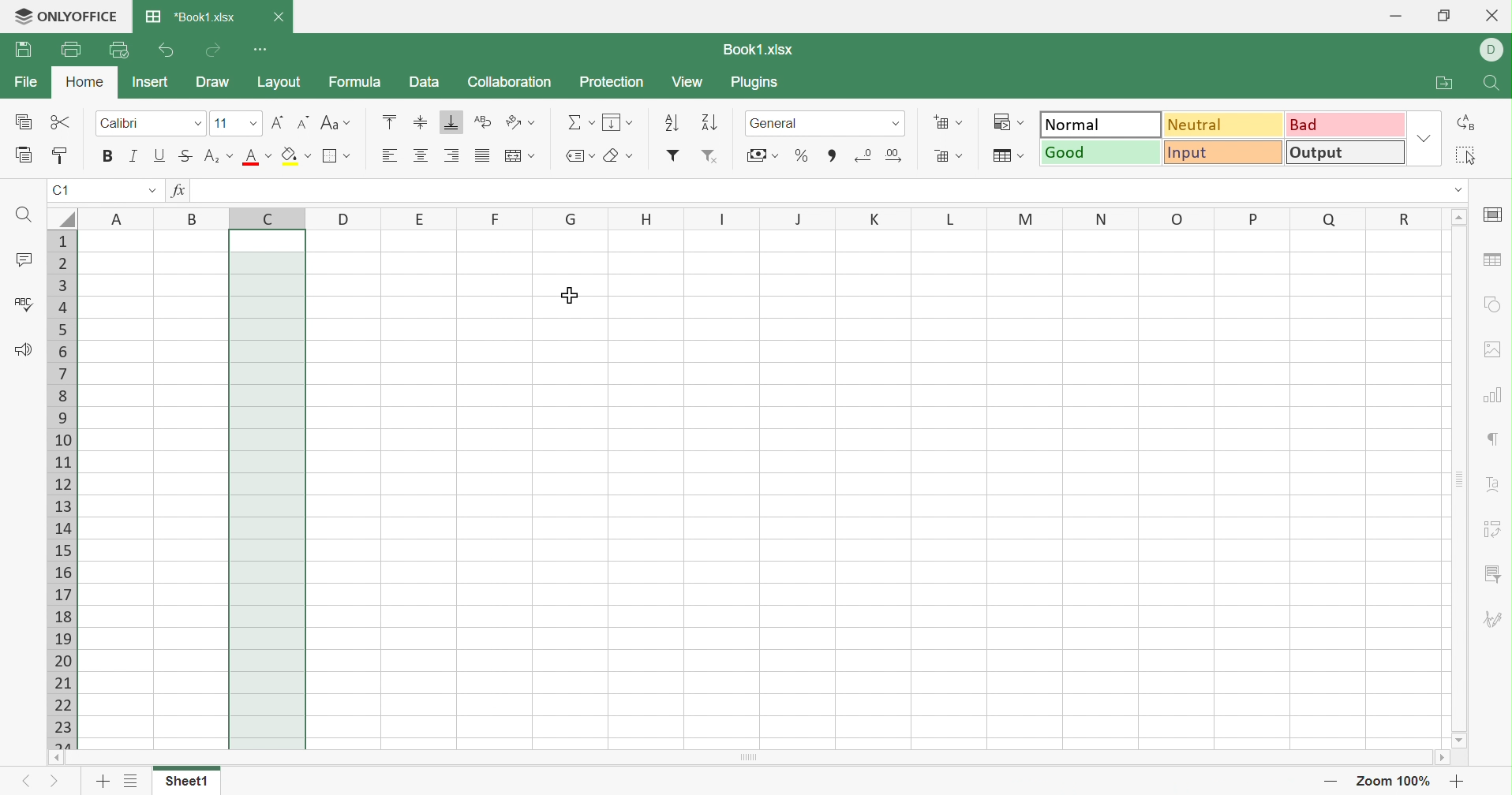  I want to click on Slide settings, so click(1494, 216).